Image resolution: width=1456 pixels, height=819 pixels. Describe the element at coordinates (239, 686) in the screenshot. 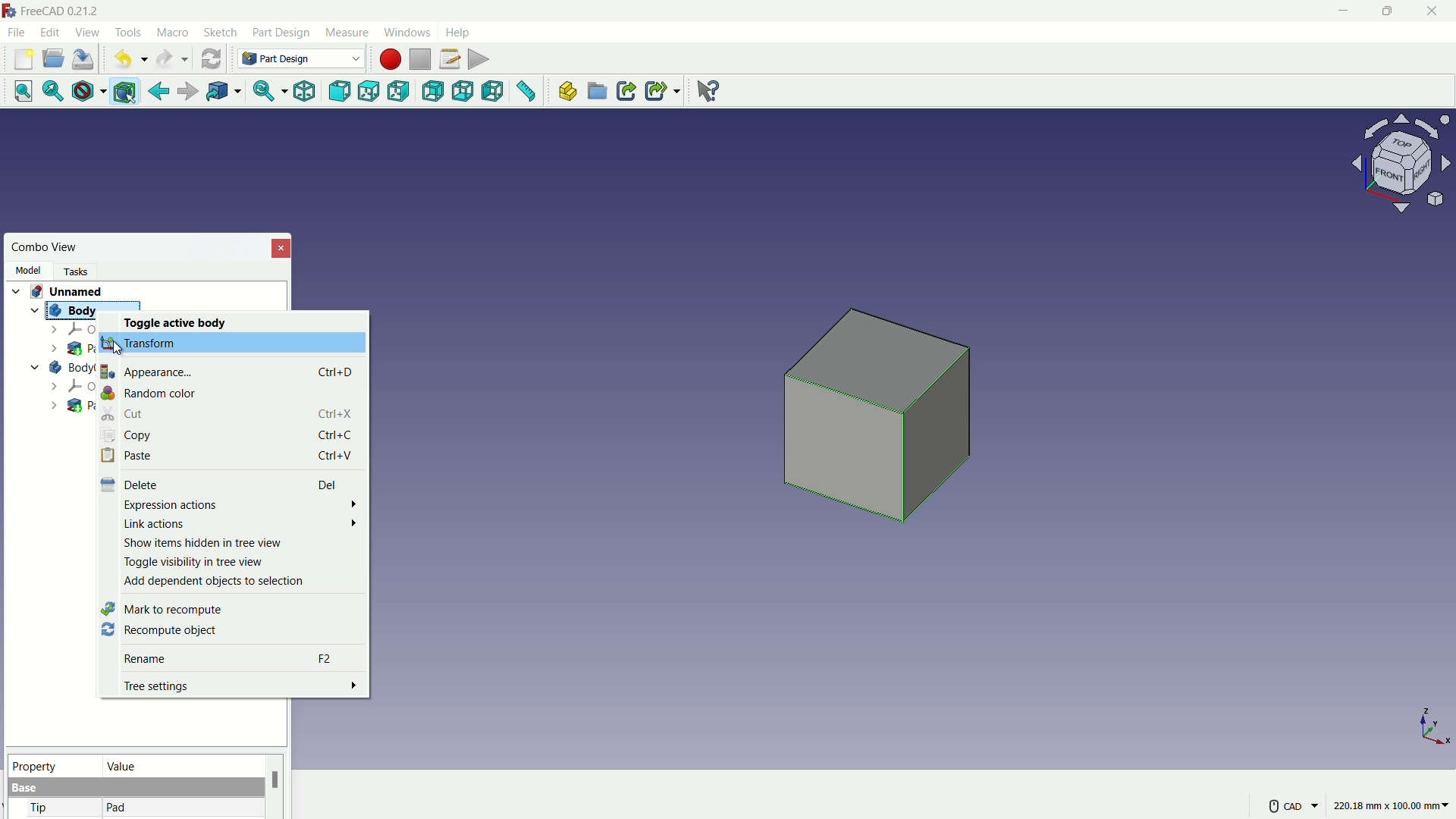

I see `Tree settings` at that location.